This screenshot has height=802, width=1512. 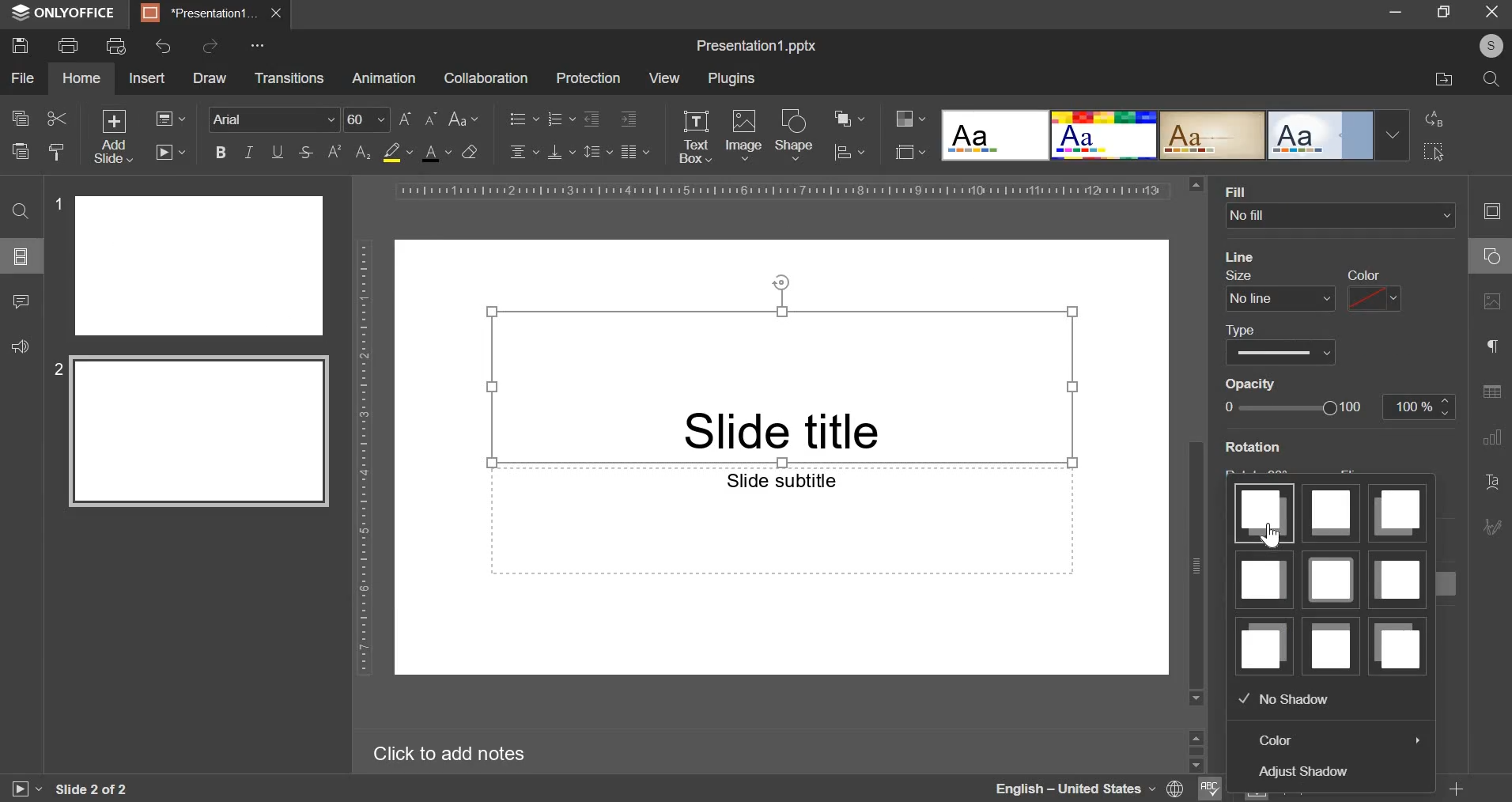 What do you see at coordinates (81, 78) in the screenshot?
I see `home` at bounding box center [81, 78].